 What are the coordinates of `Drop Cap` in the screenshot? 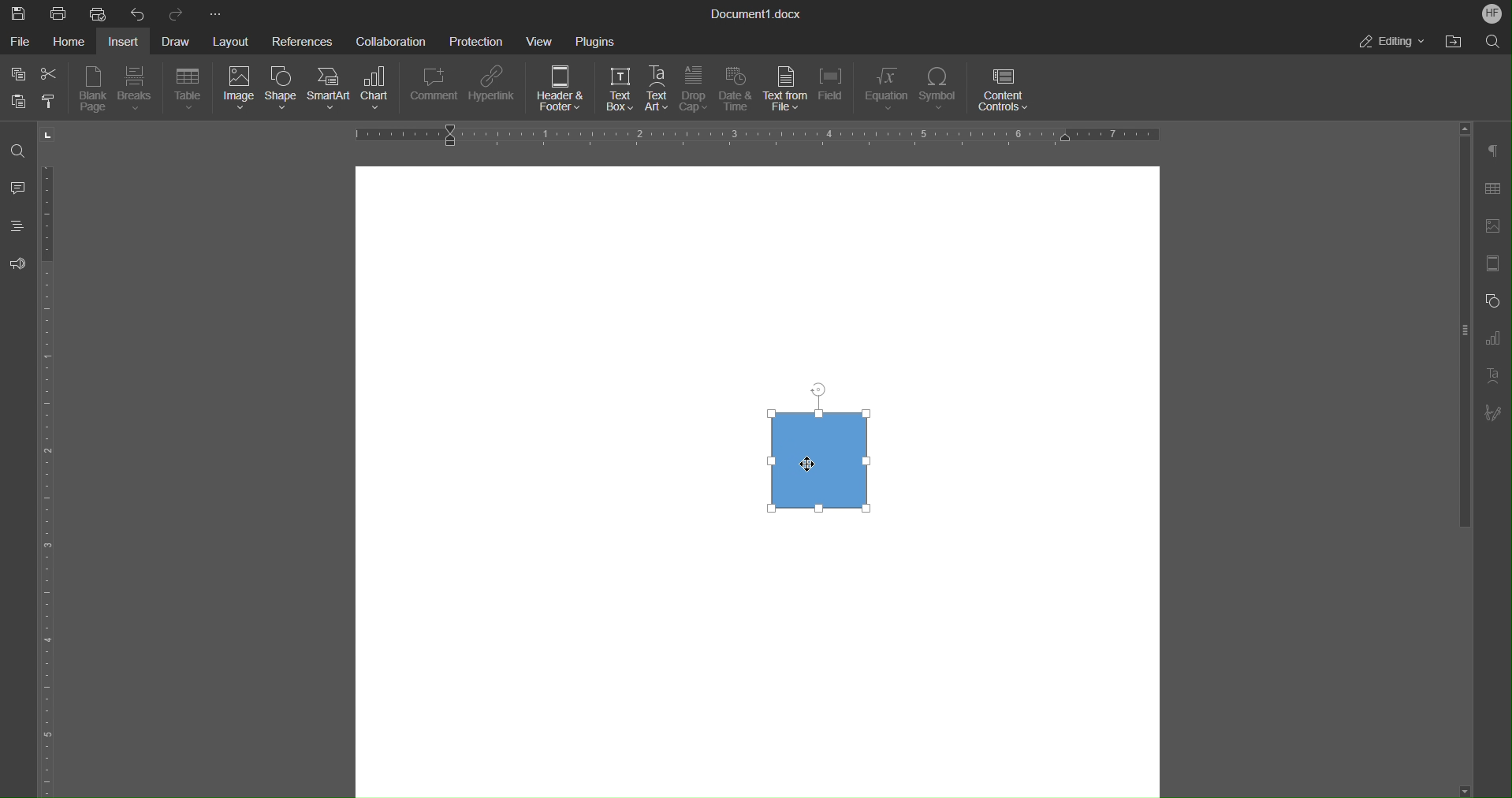 It's located at (695, 91).